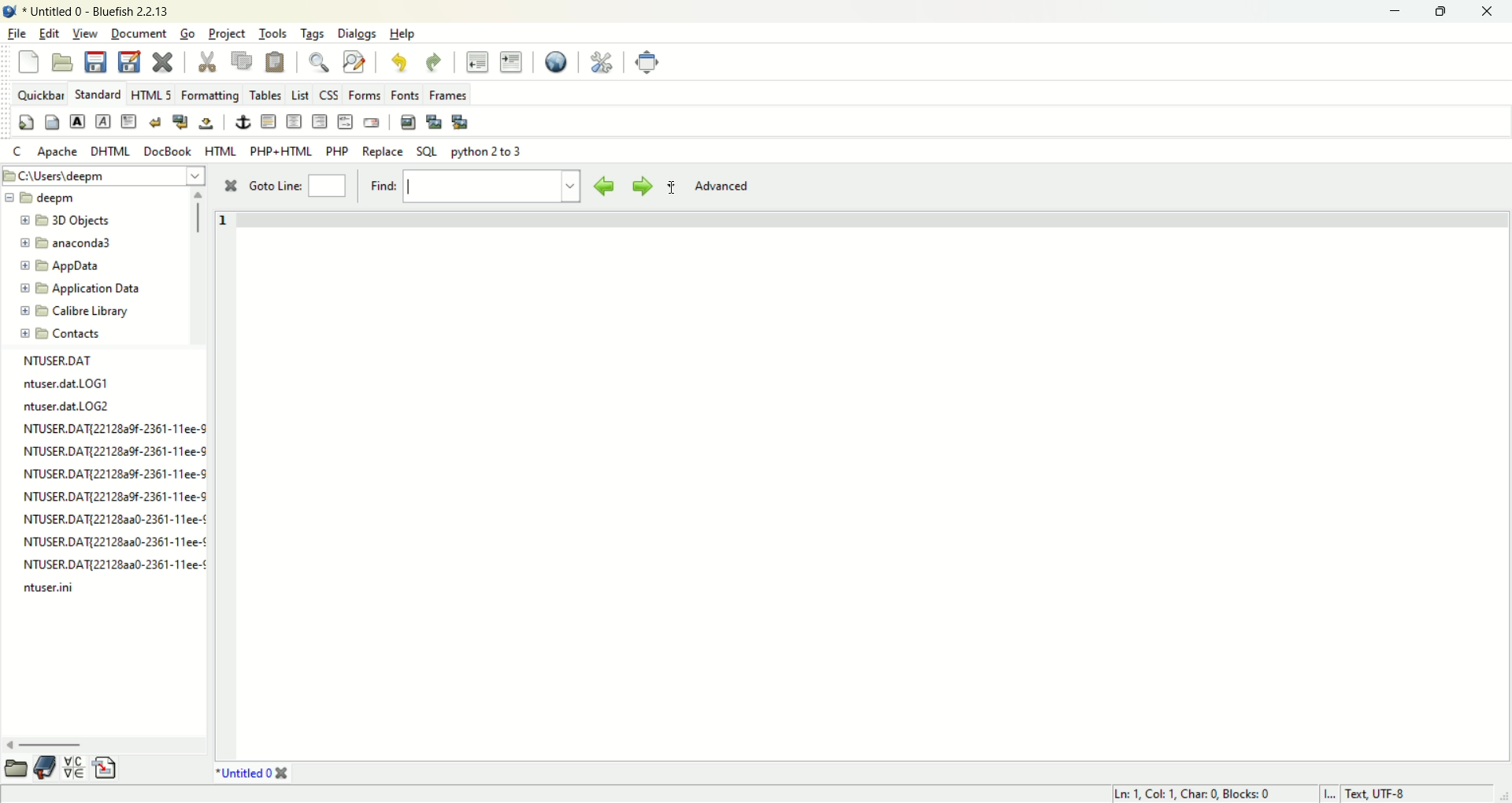 This screenshot has height=803, width=1512. Describe the element at coordinates (1440, 12) in the screenshot. I see `maximize` at that location.